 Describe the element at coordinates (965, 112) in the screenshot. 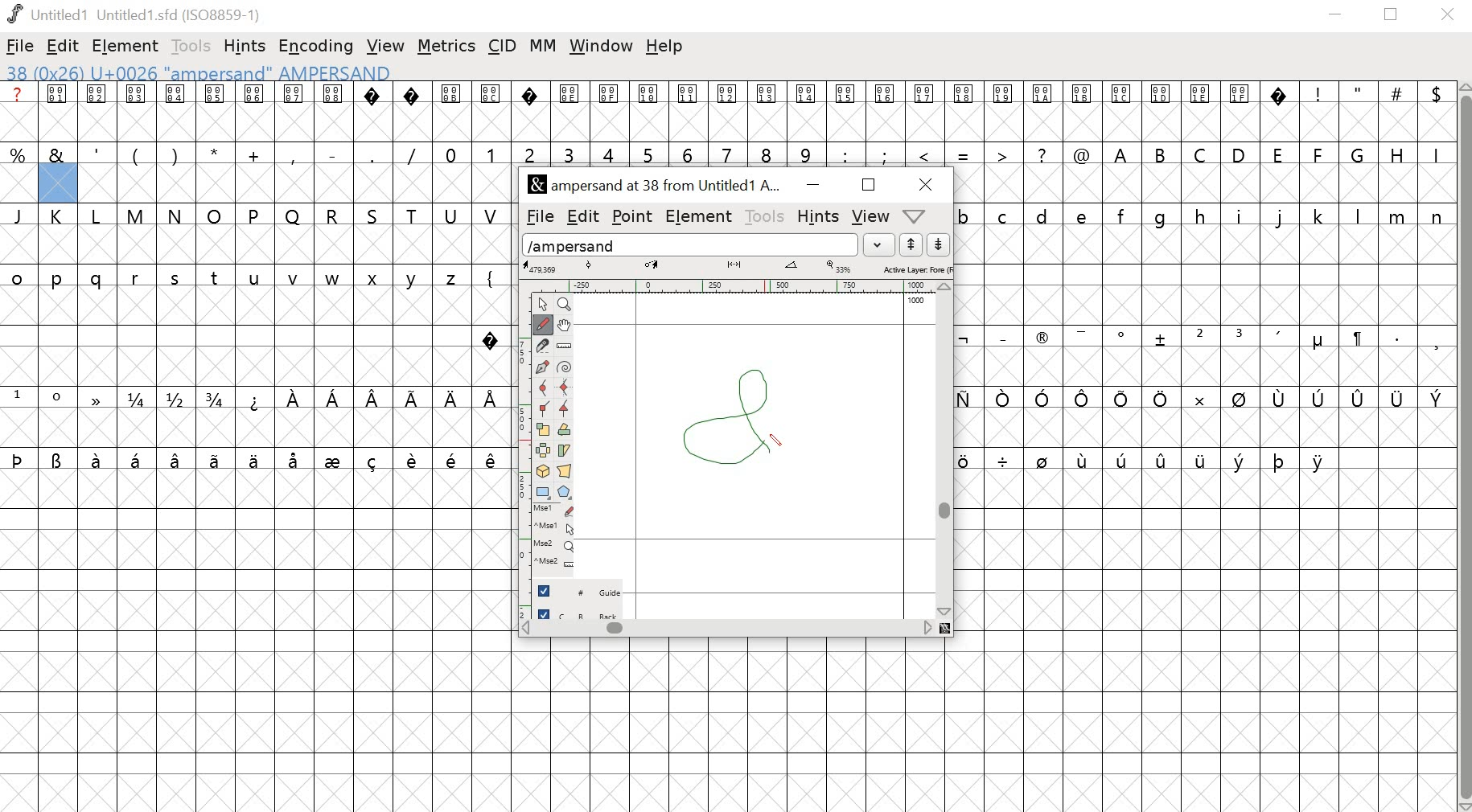

I see `0018` at that location.